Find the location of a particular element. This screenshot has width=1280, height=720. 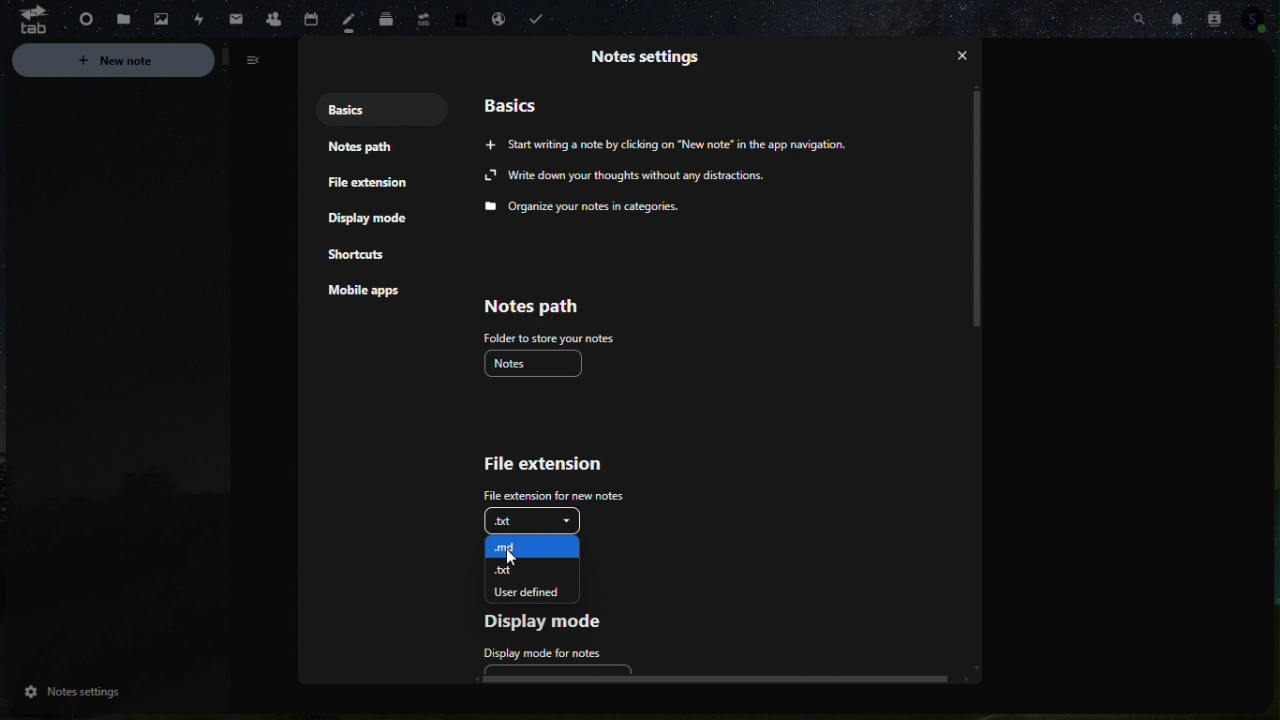

folder to store your notes is located at coordinates (549, 338).